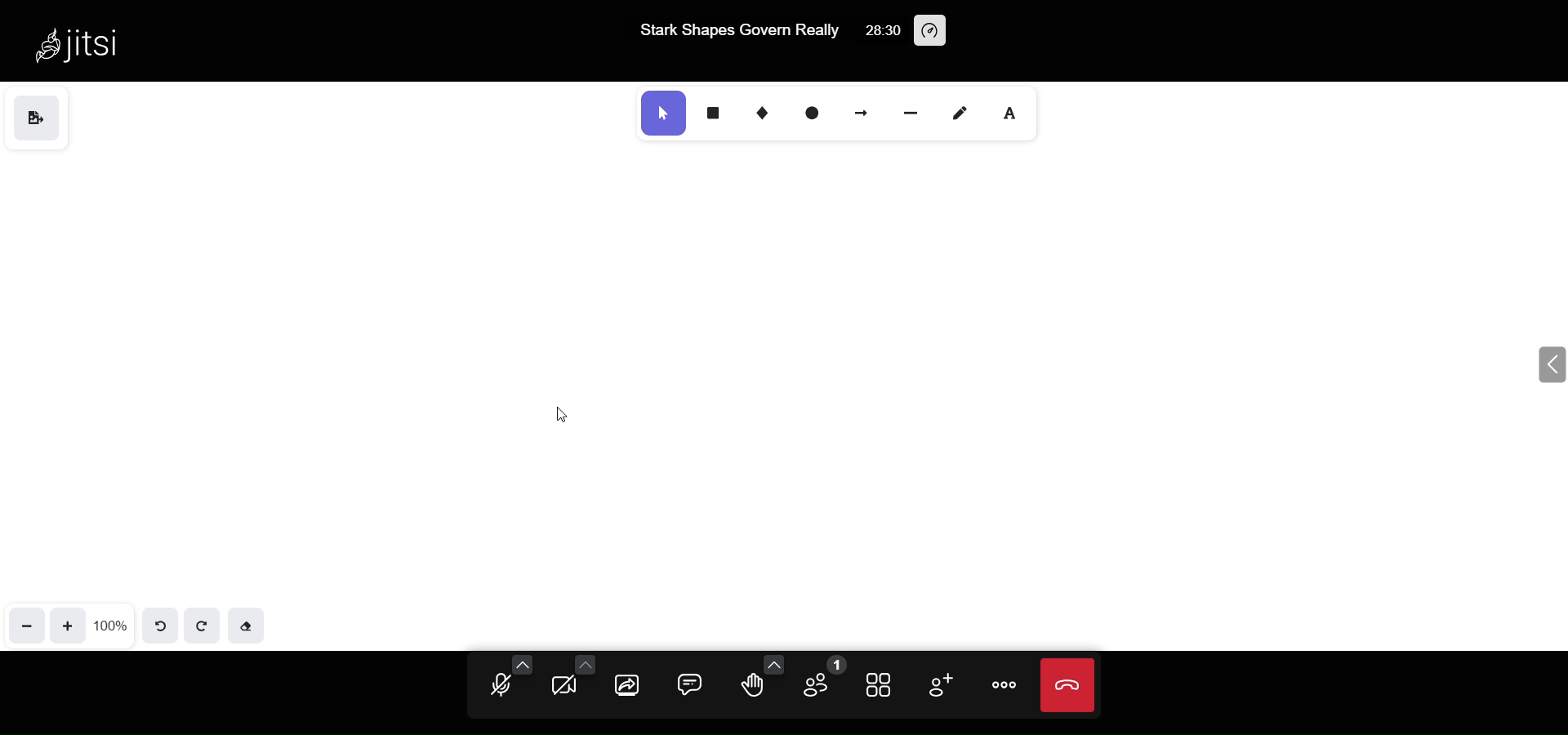 The image size is (1568, 735). I want to click on invite people, so click(941, 684).